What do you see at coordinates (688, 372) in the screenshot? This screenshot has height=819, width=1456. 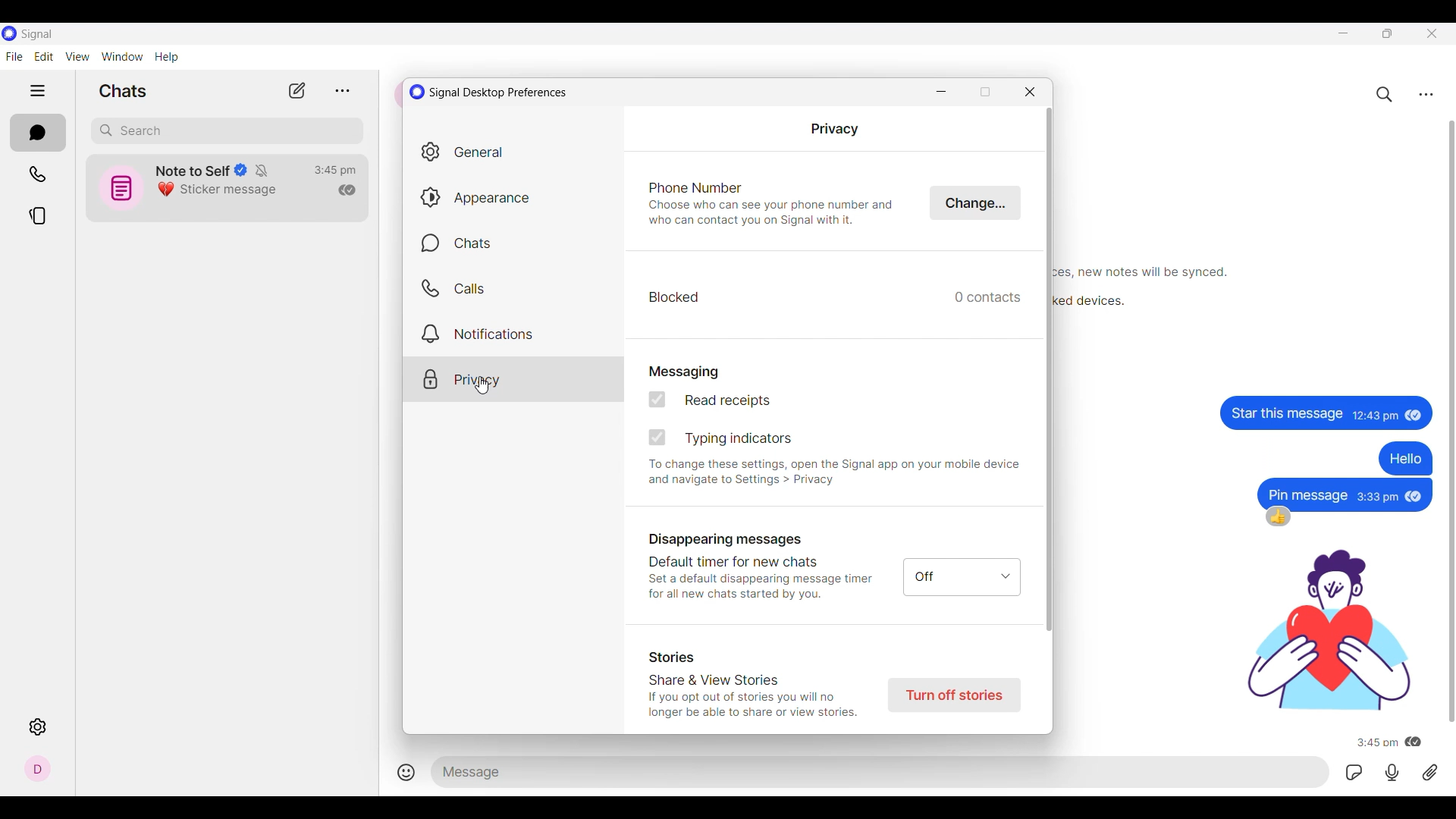 I see `Messaging` at bounding box center [688, 372].